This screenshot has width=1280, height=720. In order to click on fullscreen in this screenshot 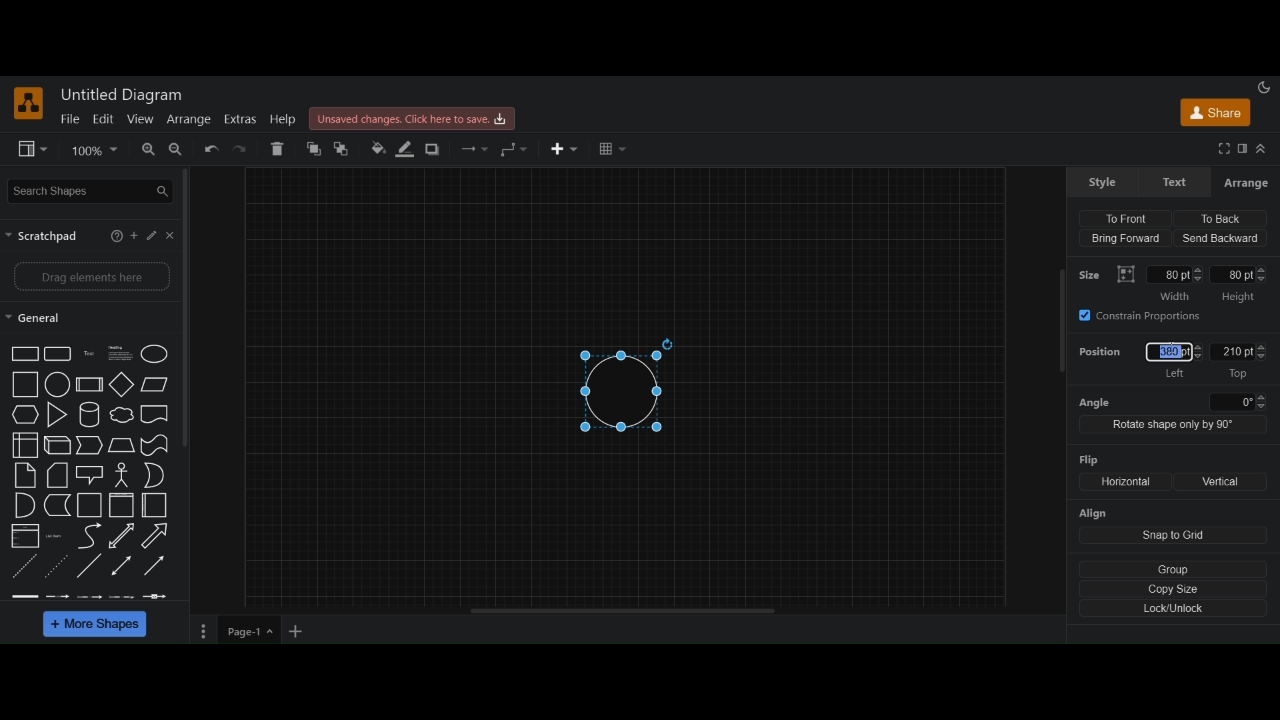, I will do `click(1222, 149)`.